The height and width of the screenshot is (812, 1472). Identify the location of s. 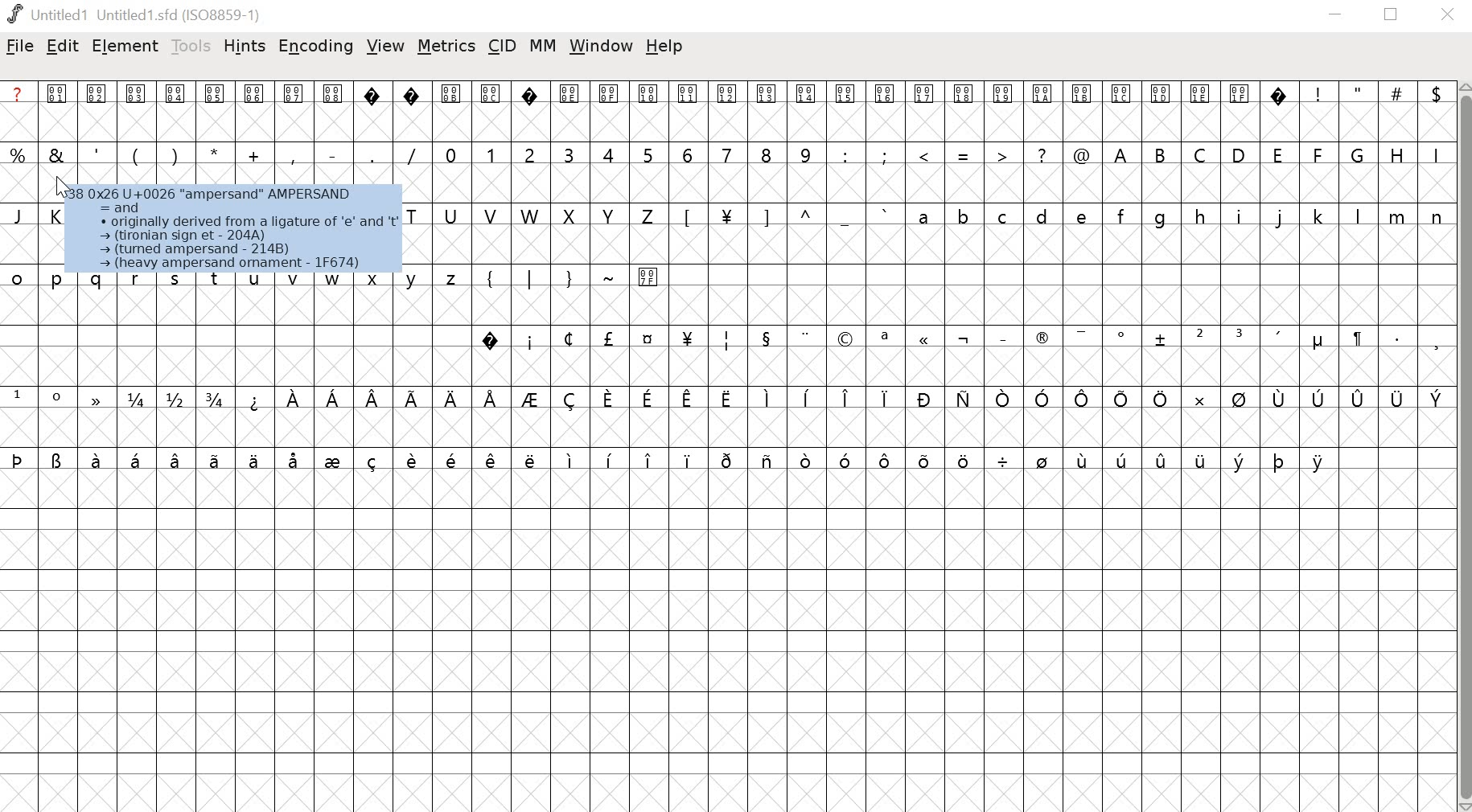
(175, 278).